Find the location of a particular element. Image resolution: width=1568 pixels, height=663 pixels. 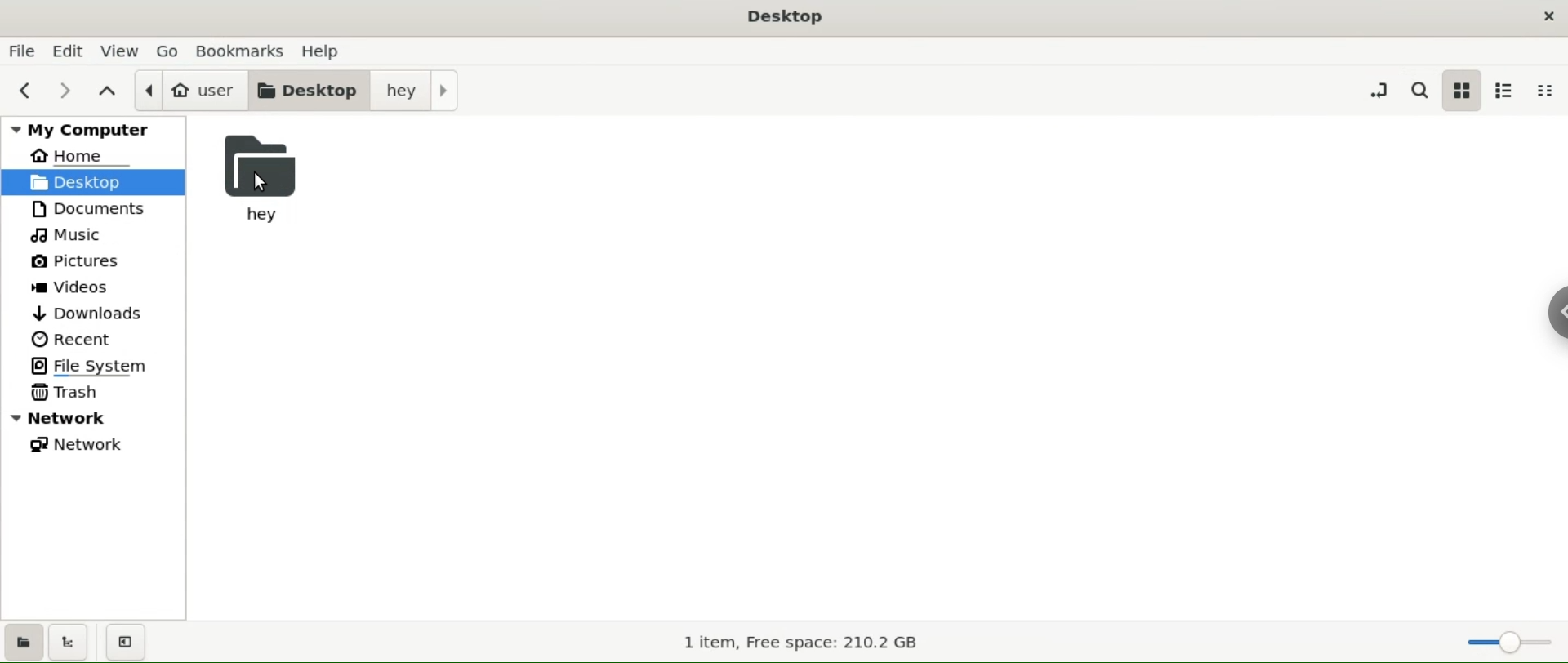

videos is located at coordinates (71, 288).